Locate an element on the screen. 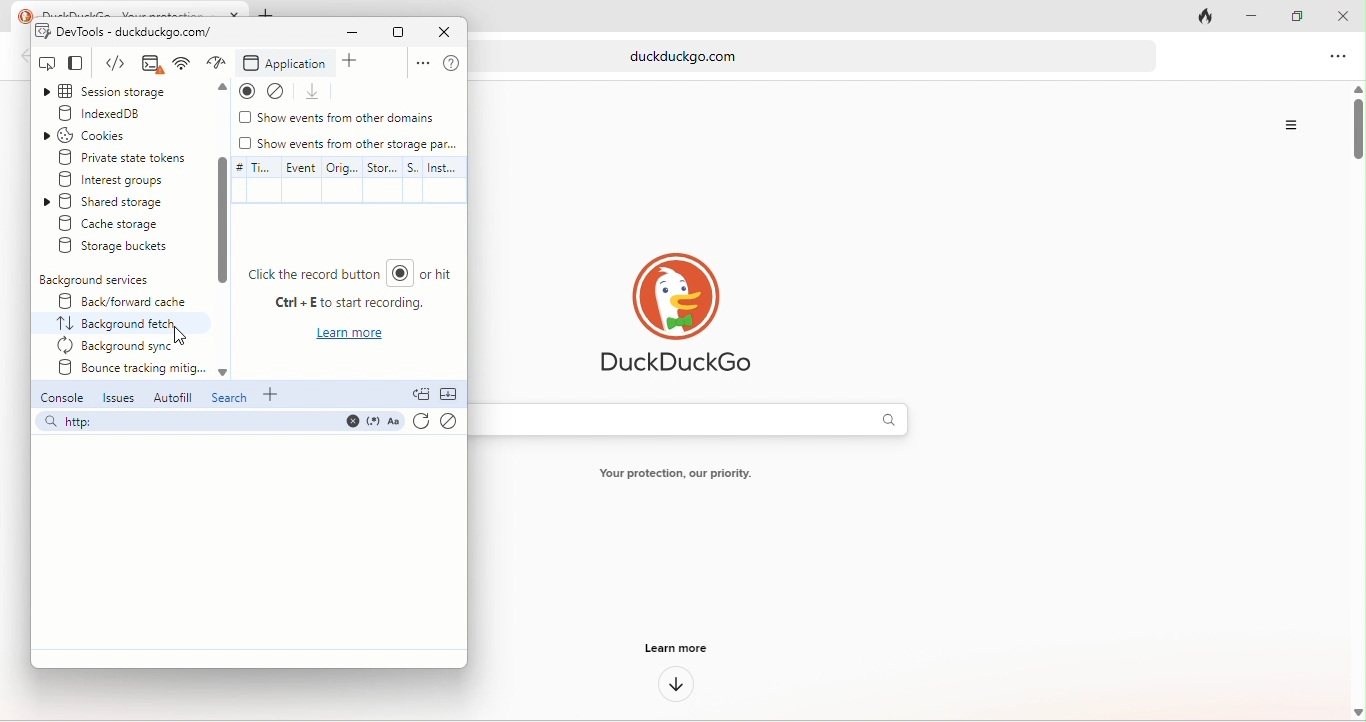 This screenshot has height=722, width=1366. bounce tracking mitig is located at coordinates (128, 371).